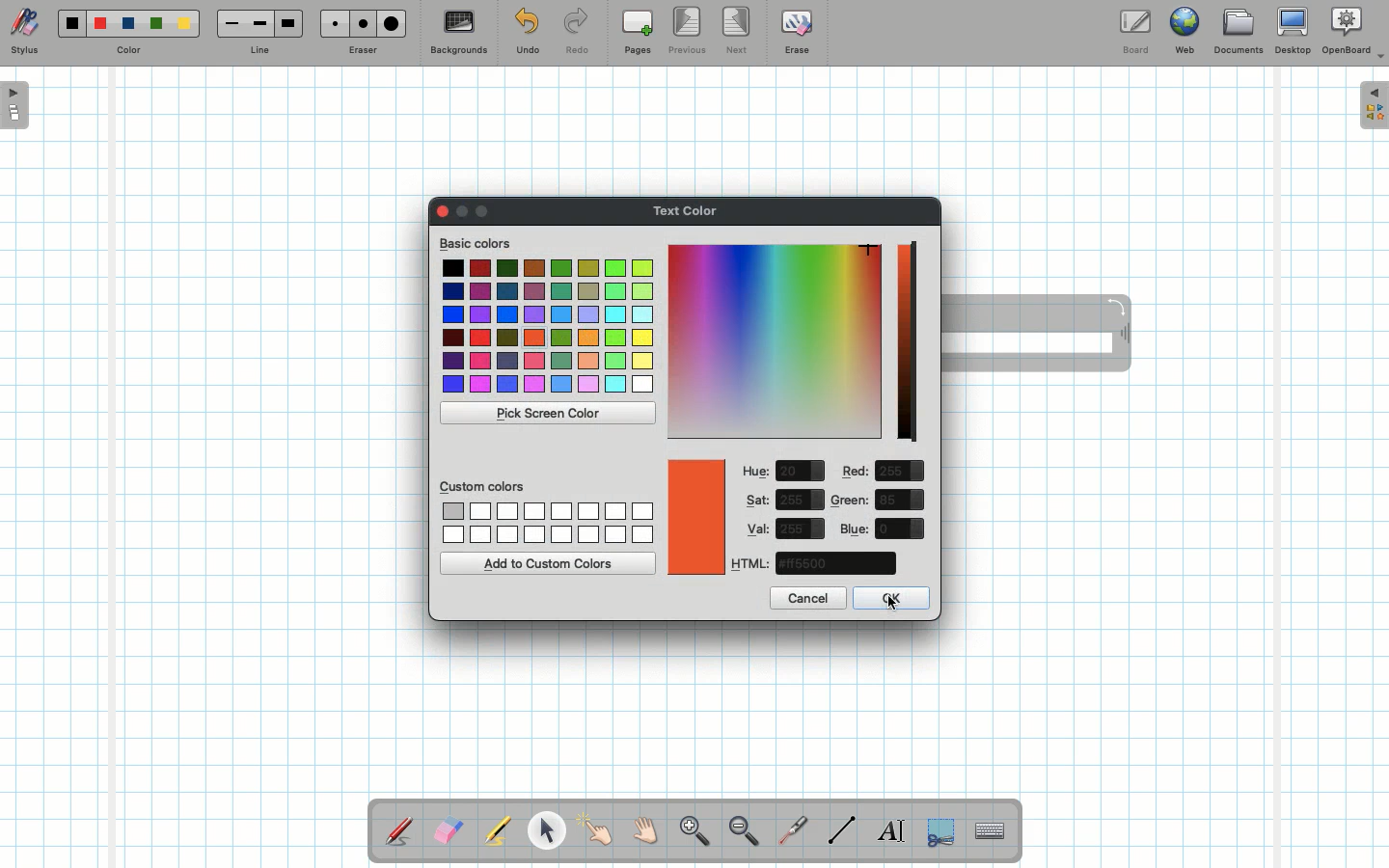 This screenshot has width=1389, height=868. What do you see at coordinates (259, 51) in the screenshot?
I see `Line` at bounding box center [259, 51].